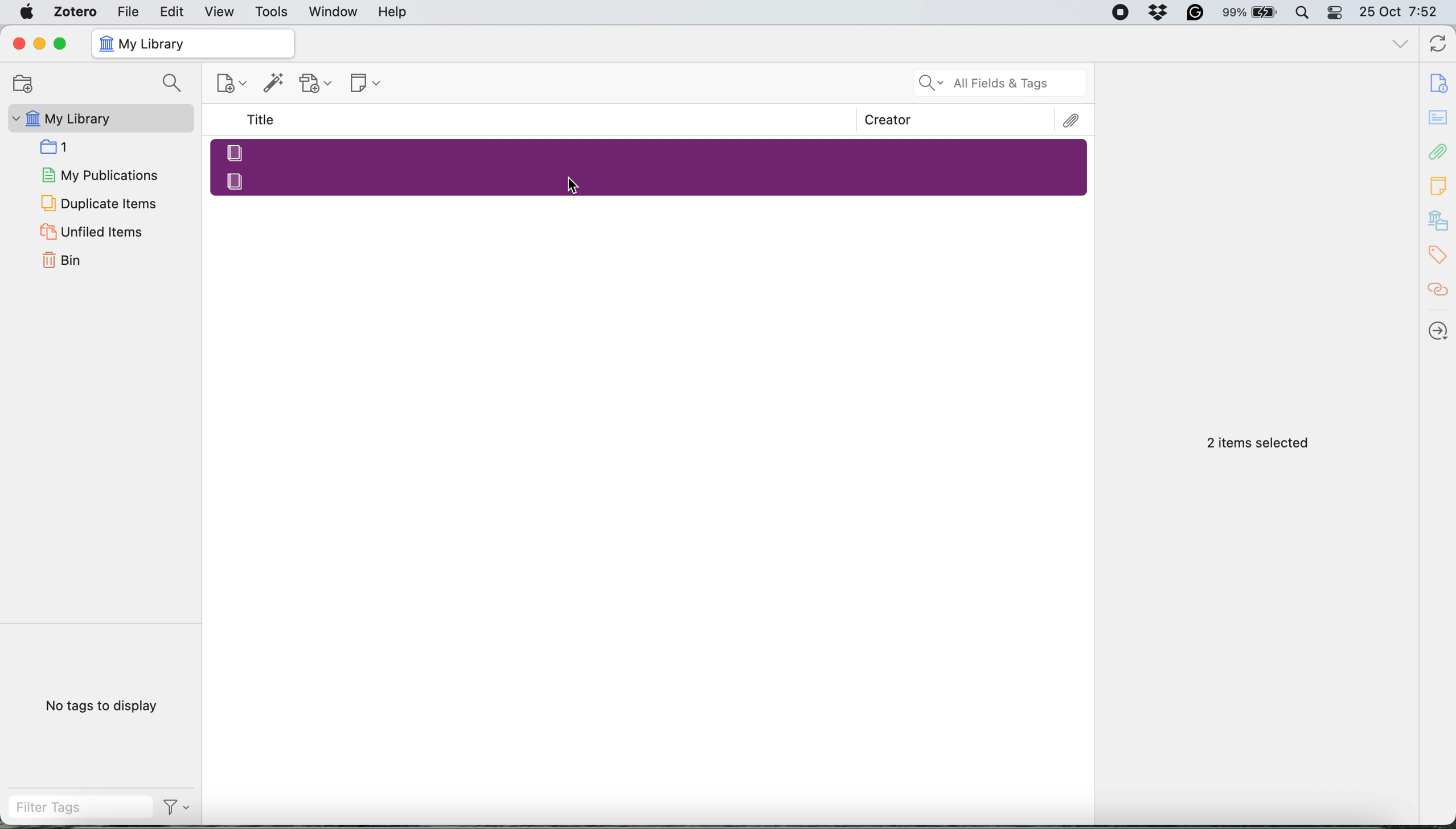 This screenshot has height=829, width=1456. I want to click on Filter Tags, so click(80, 807).